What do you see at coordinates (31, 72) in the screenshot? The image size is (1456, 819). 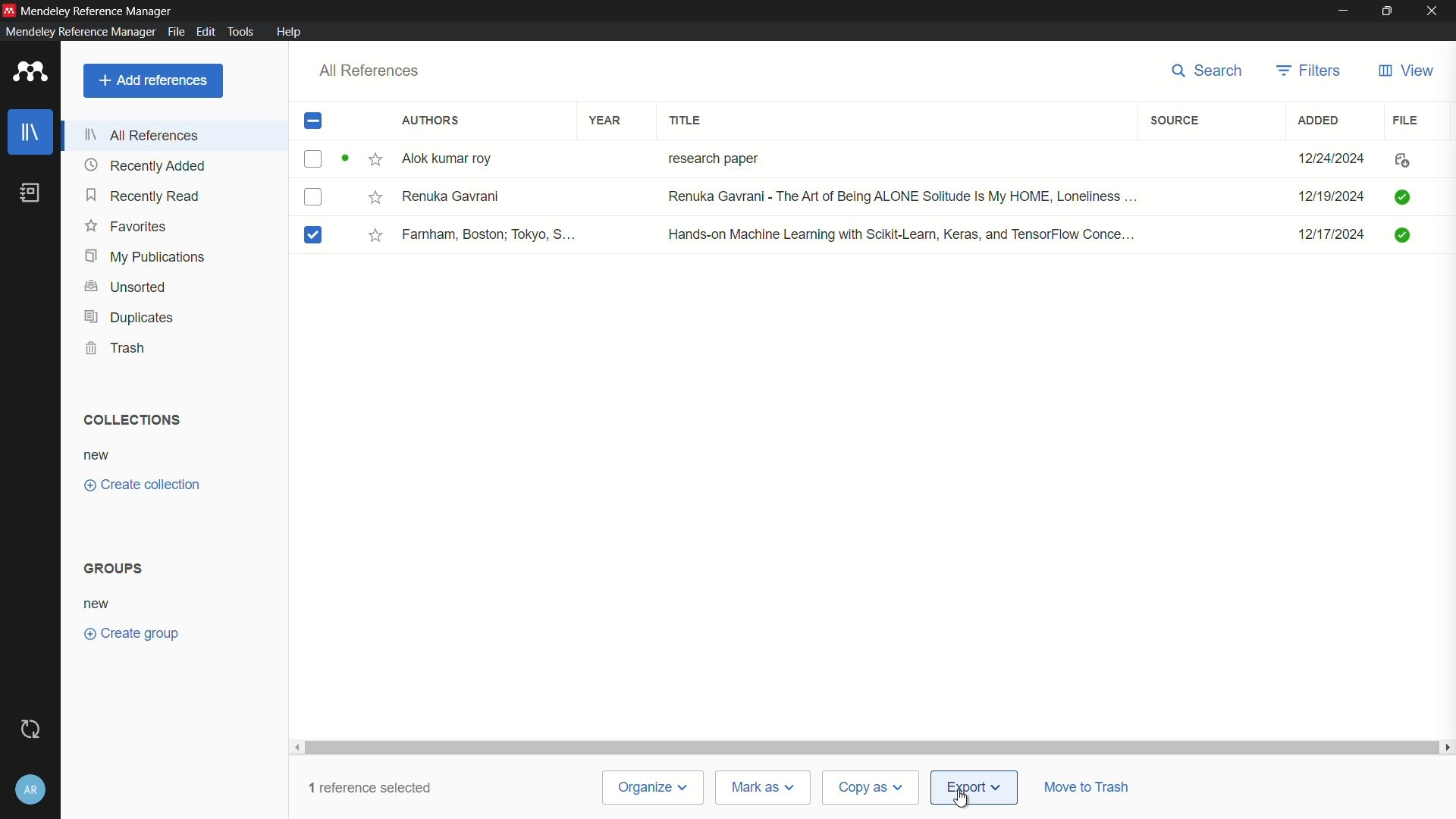 I see `app icon` at bounding box center [31, 72].